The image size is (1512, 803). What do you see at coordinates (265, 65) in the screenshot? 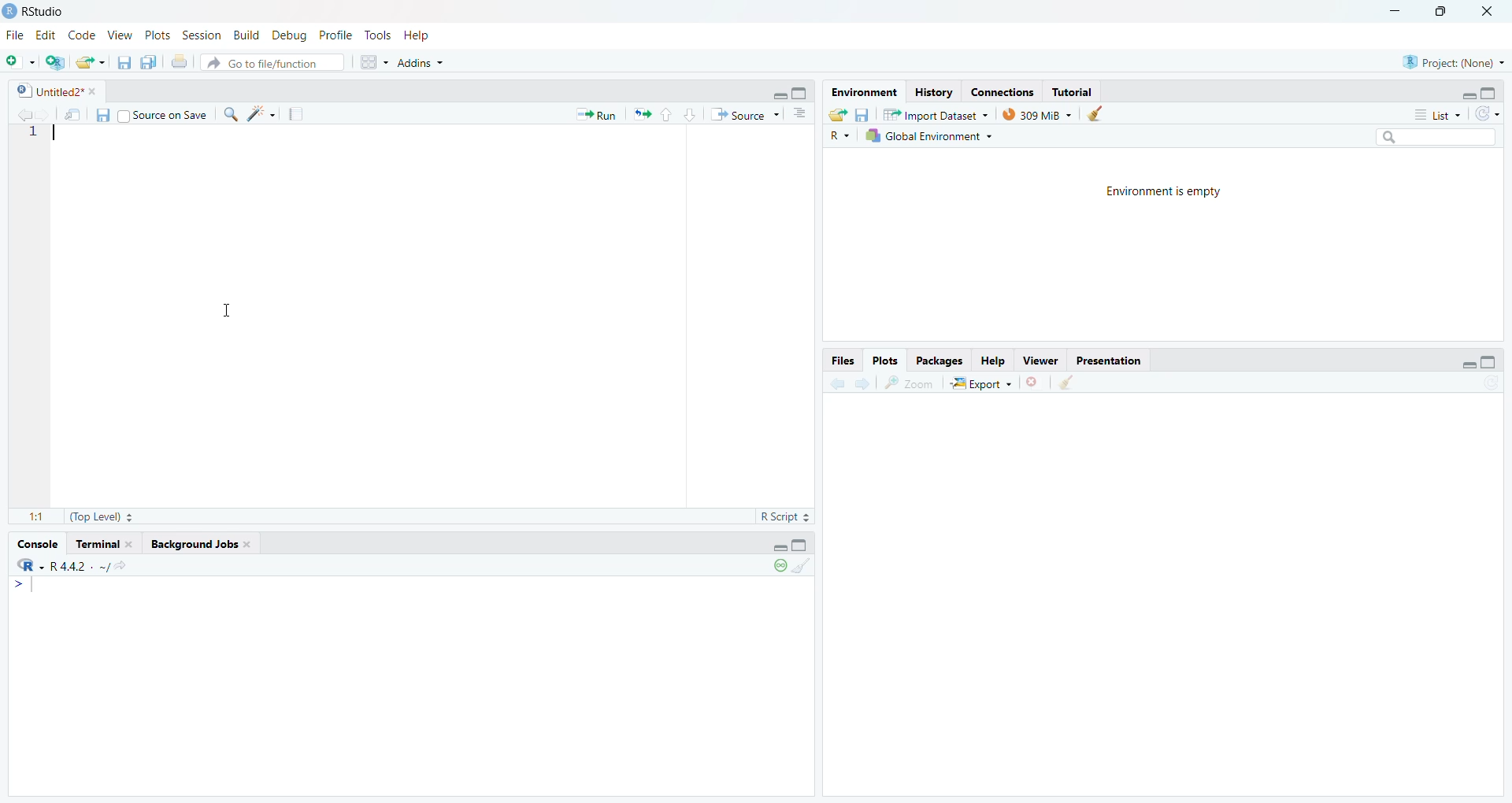
I see `Go to file/function` at bounding box center [265, 65].